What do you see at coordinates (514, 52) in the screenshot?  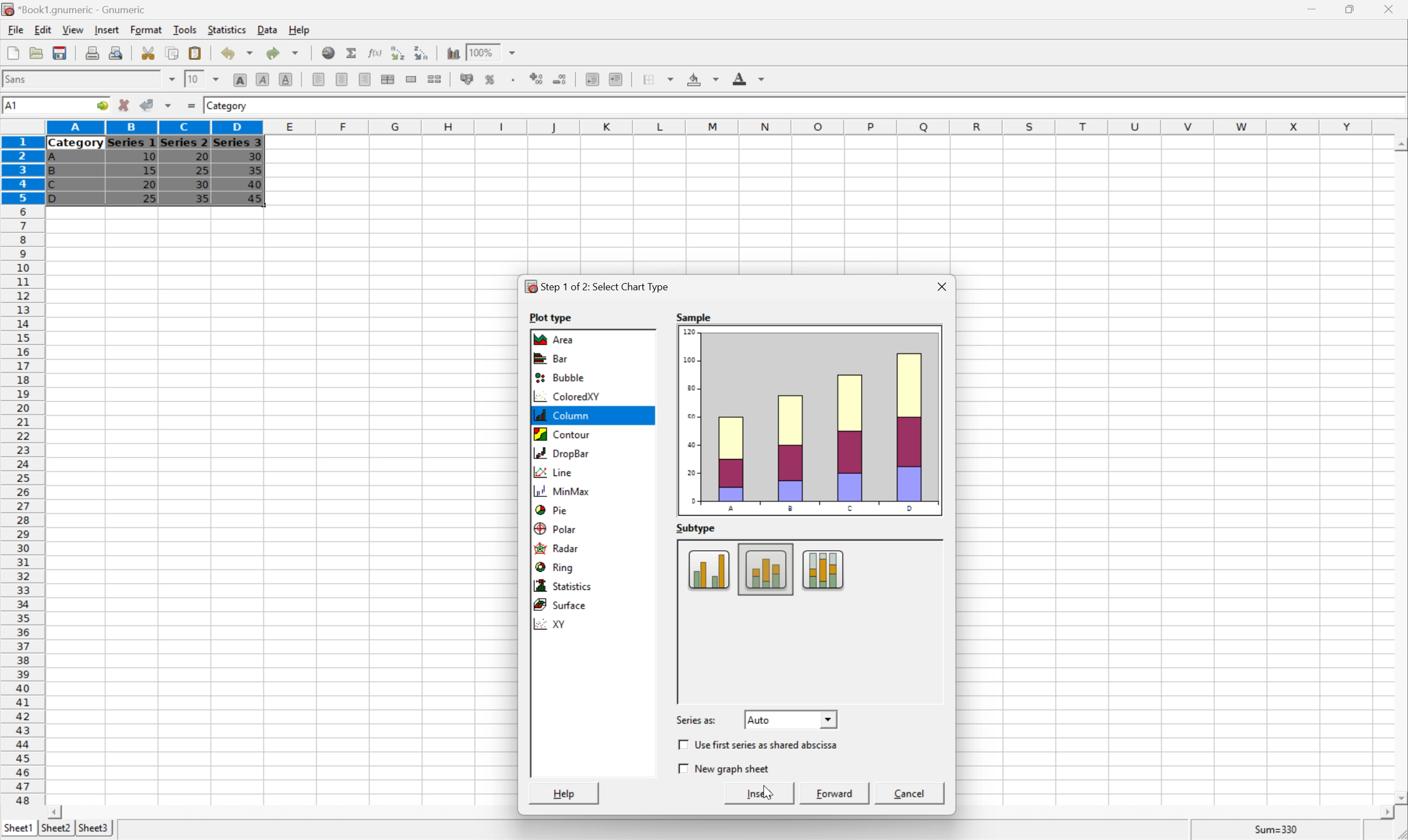 I see `Drop Down` at bounding box center [514, 52].